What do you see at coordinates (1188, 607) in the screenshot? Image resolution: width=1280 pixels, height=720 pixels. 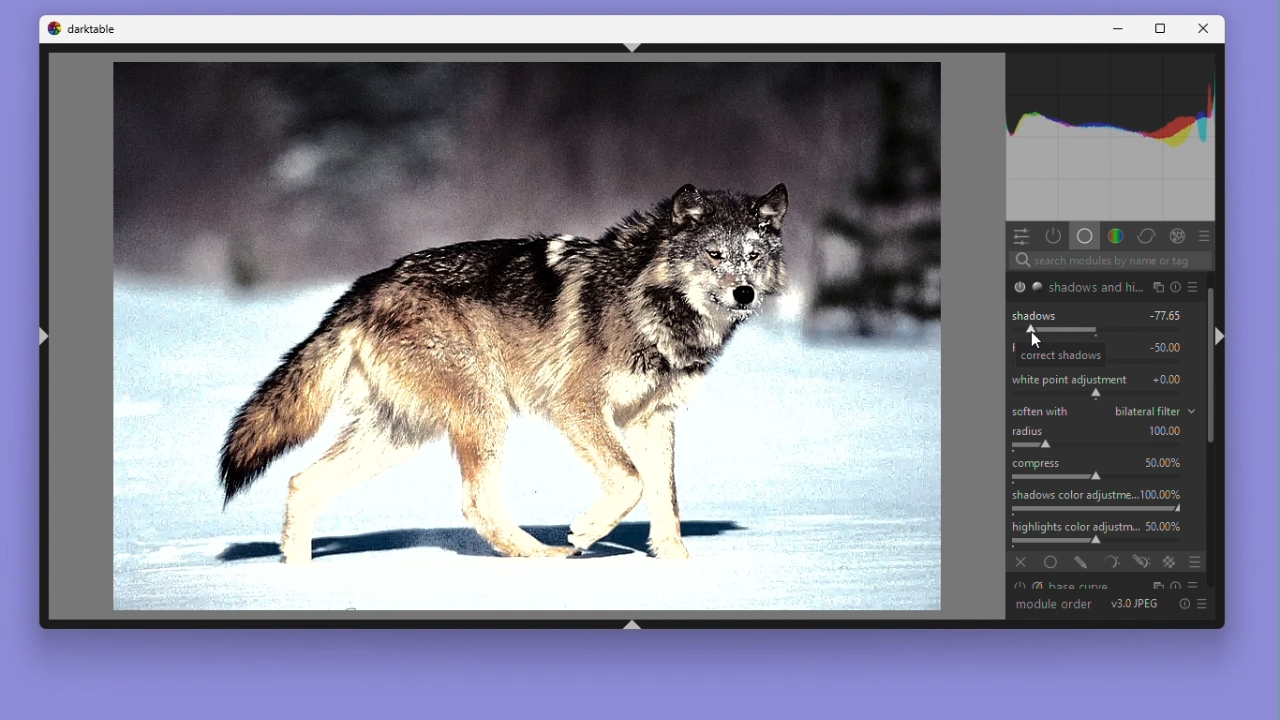 I see `Reset` at bounding box center [1188, 607].